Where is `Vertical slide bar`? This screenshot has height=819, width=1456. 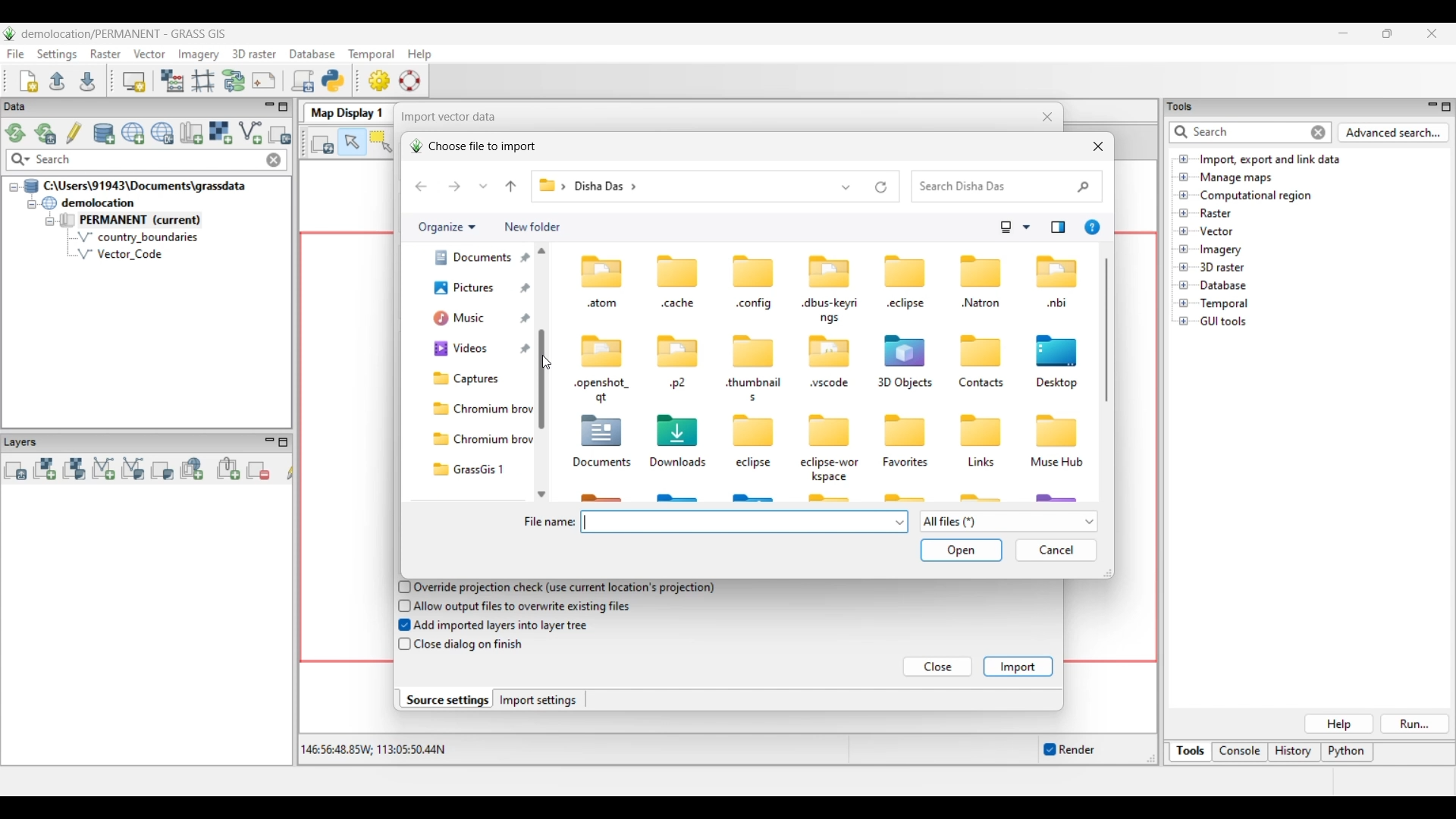 Vertical slide bar is located at coordinates (541, 308).